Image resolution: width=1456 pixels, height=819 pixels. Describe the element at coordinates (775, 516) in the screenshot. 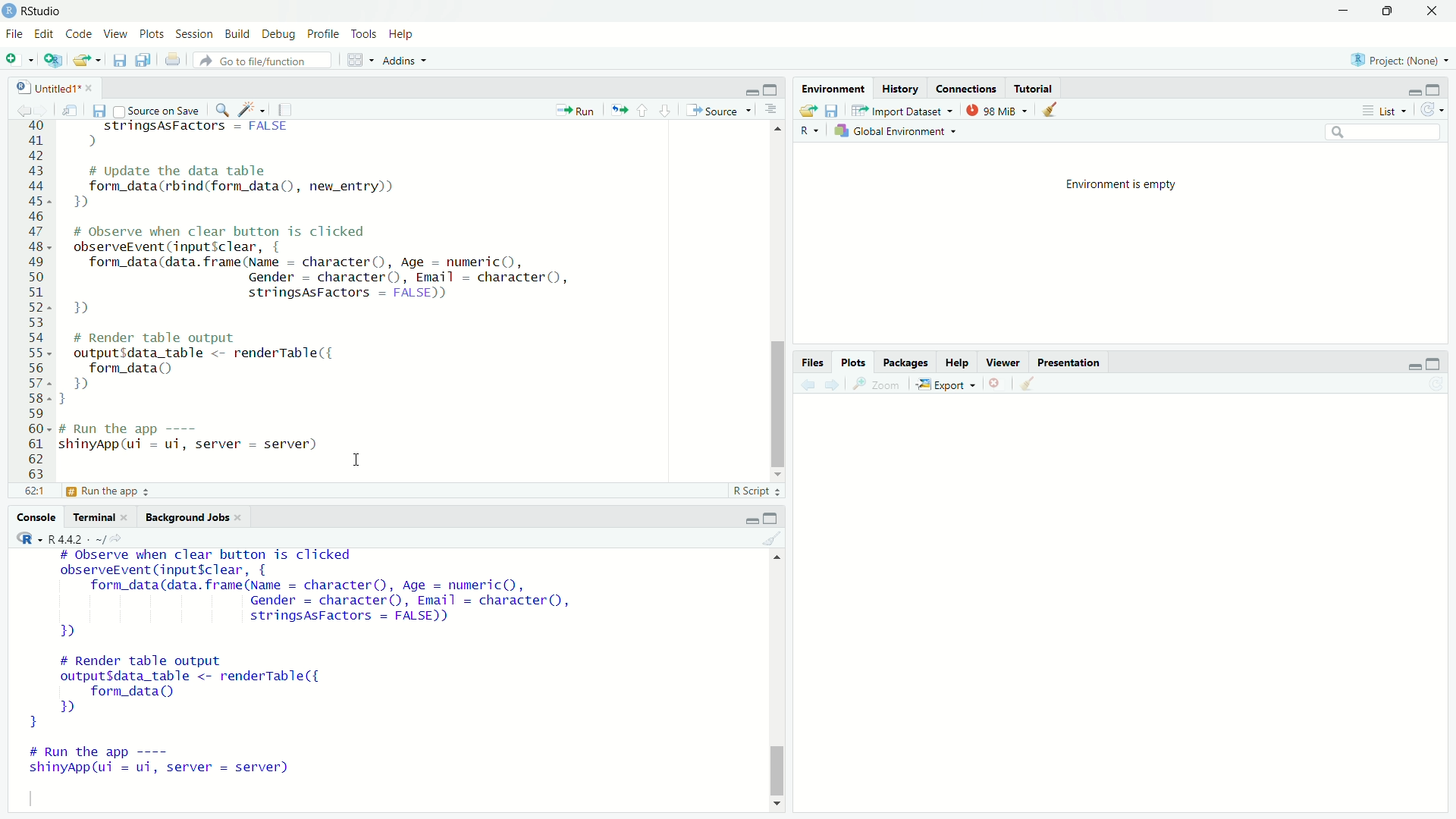

I see `maximize` at that location.